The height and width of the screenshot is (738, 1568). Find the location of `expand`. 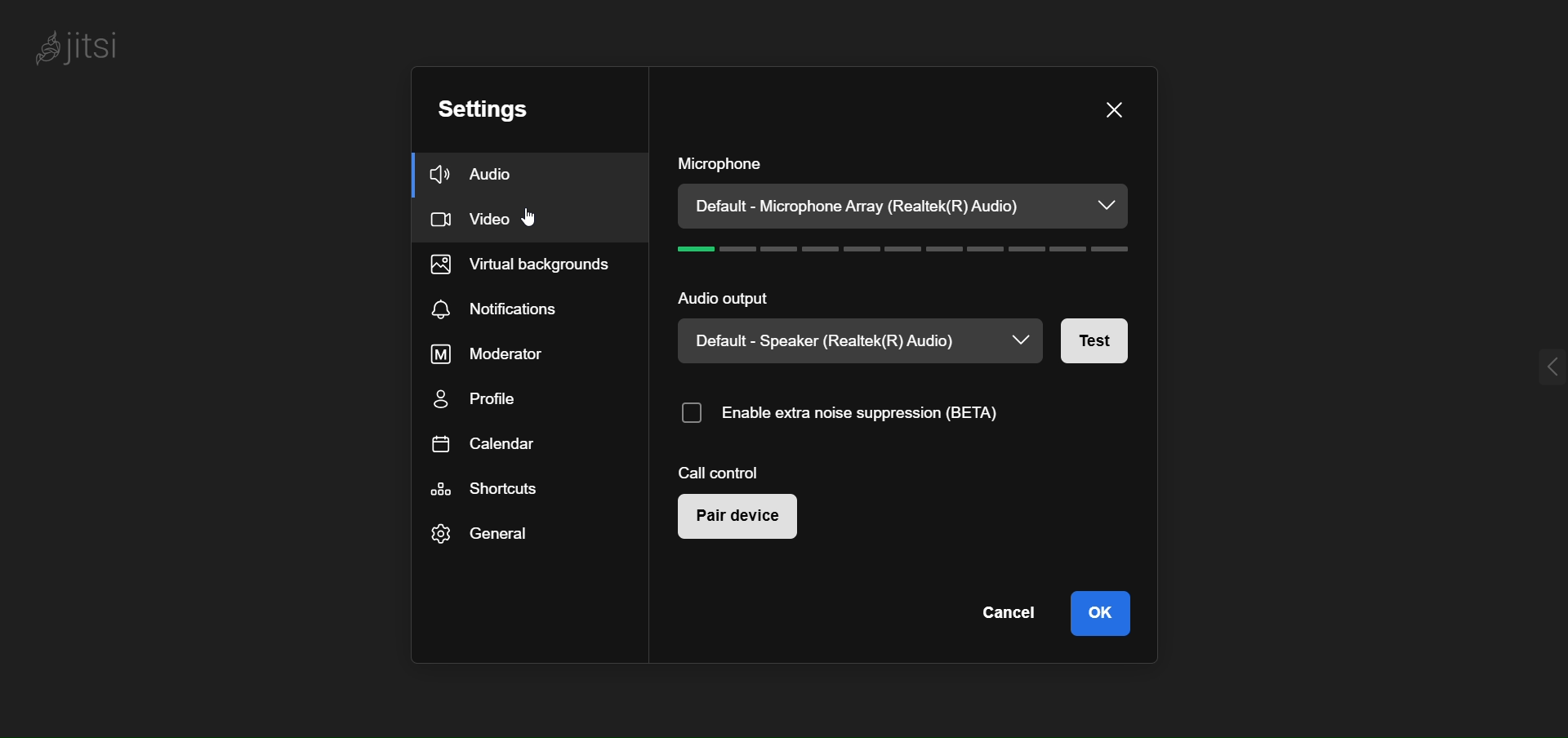

expand is located at coordinates (1539, 370).